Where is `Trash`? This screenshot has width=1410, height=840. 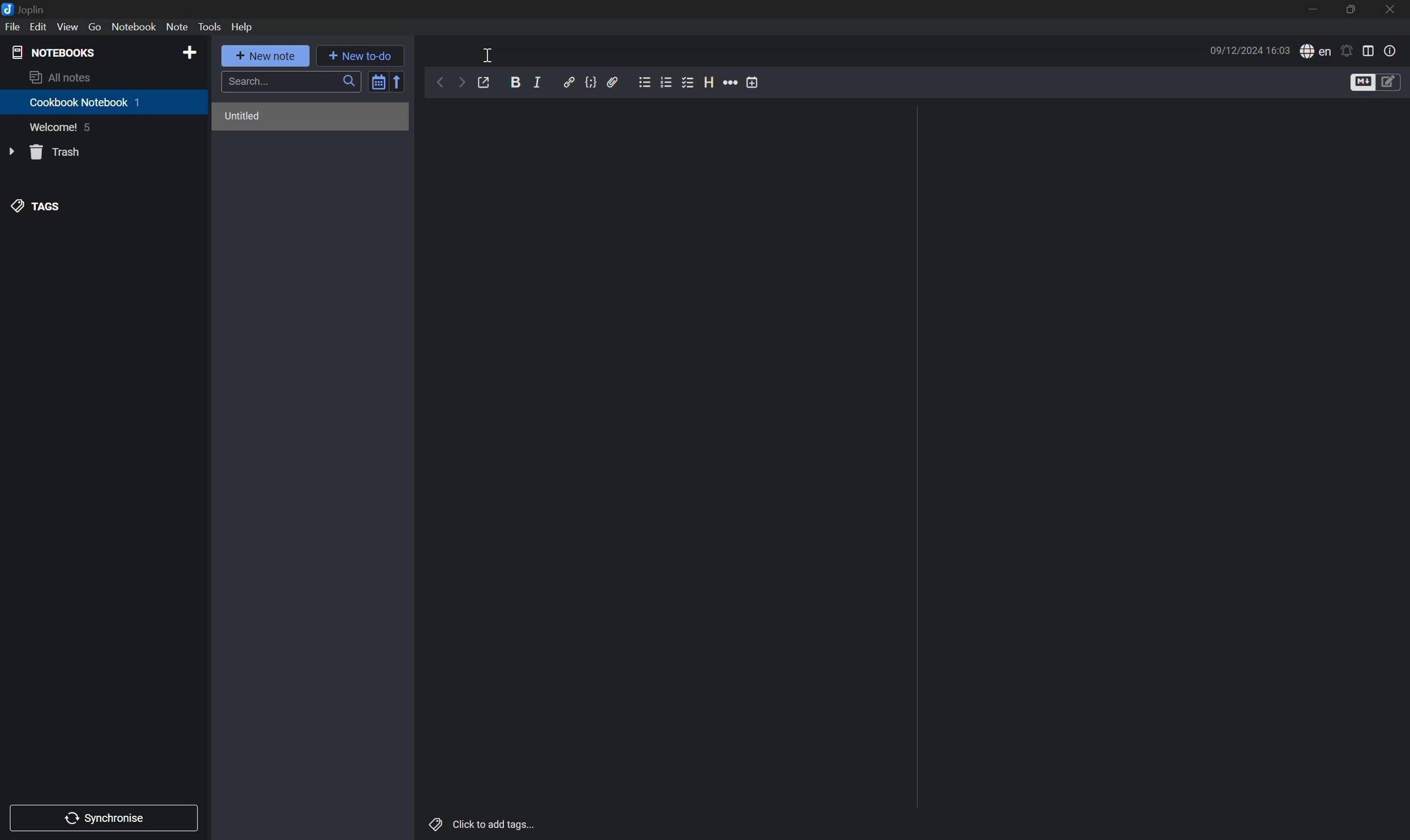 Trash is located at coordinates (58, 151).